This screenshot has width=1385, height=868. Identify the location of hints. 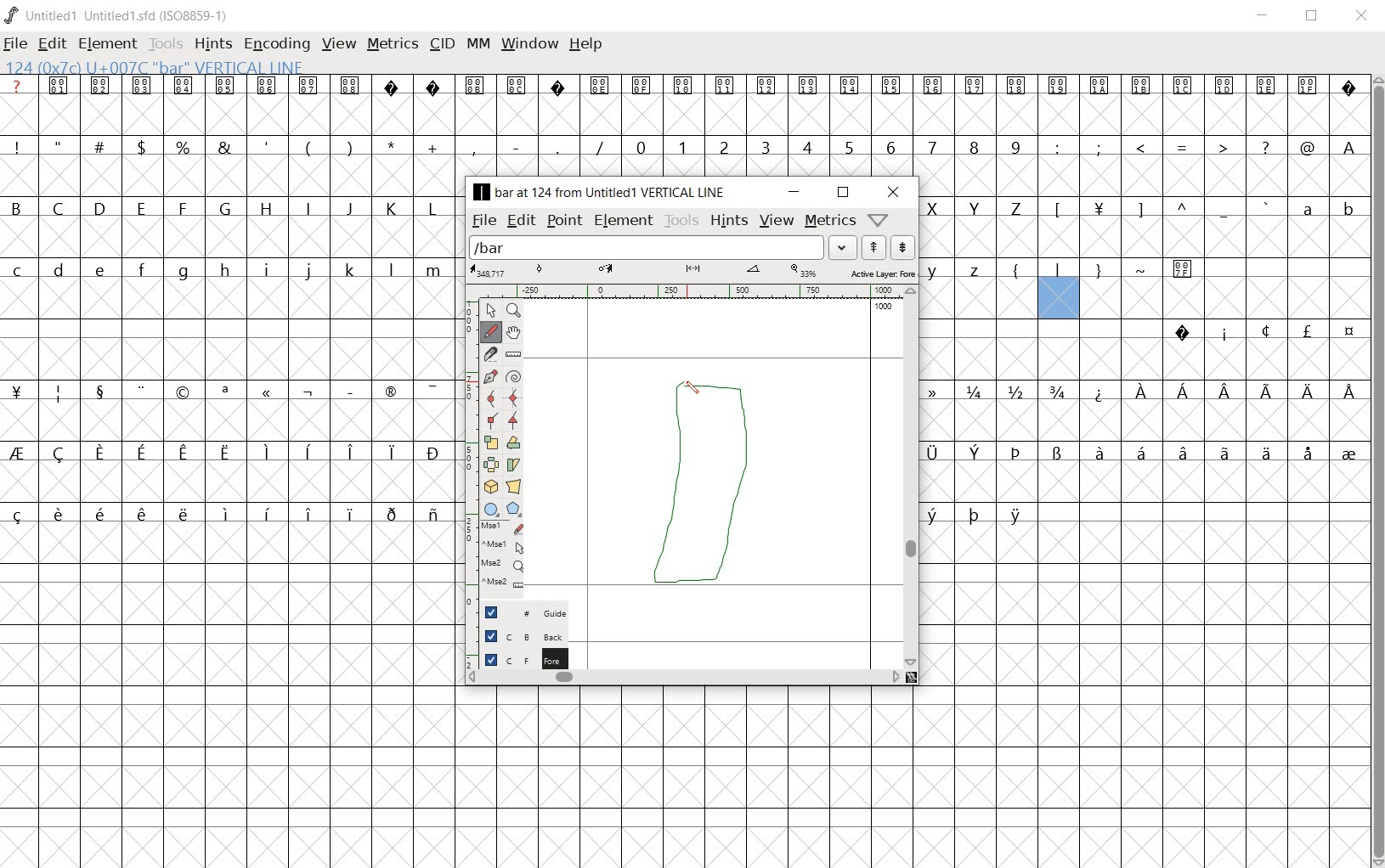
(728, 220).